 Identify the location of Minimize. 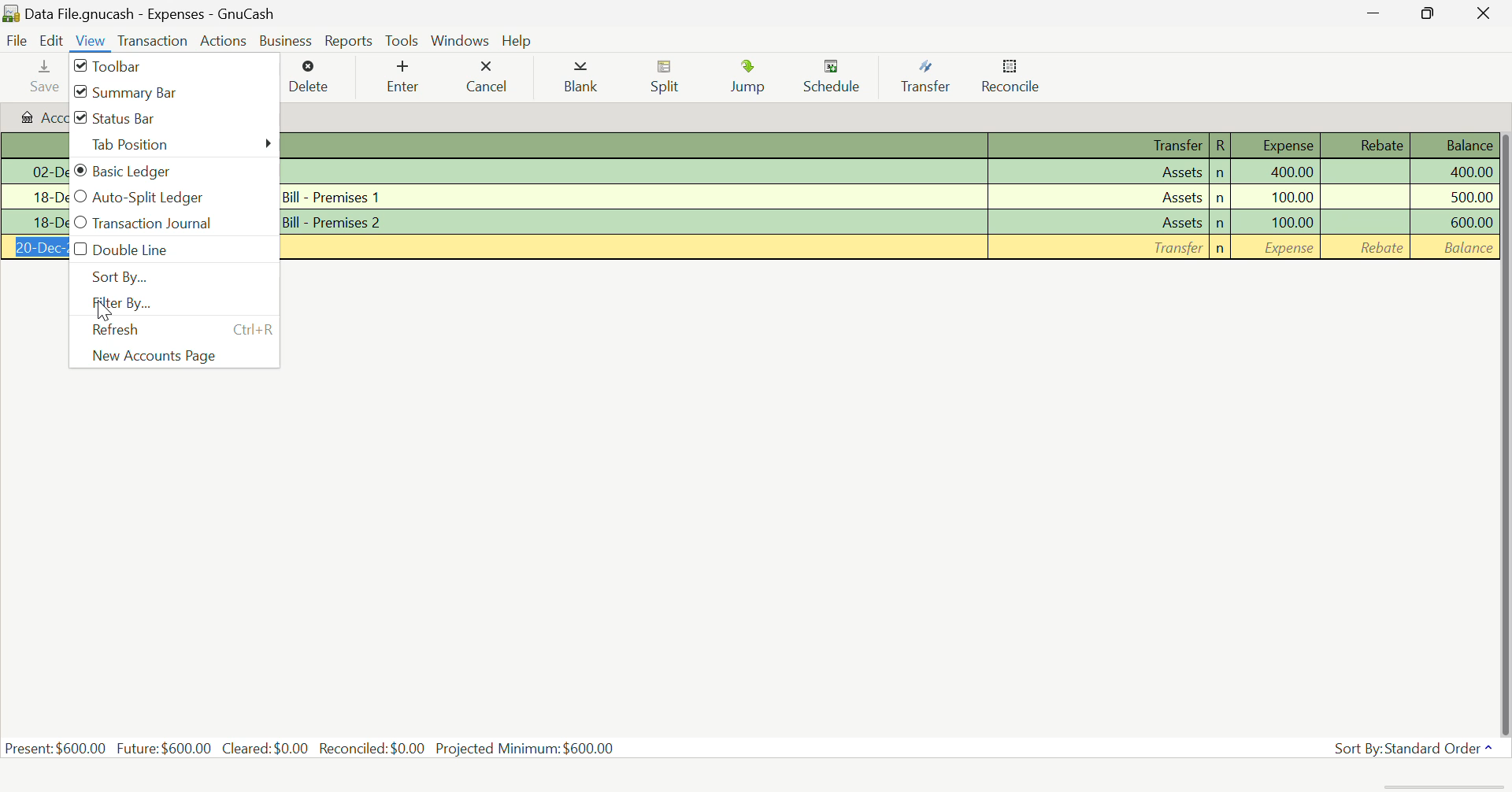
(1431, 15).